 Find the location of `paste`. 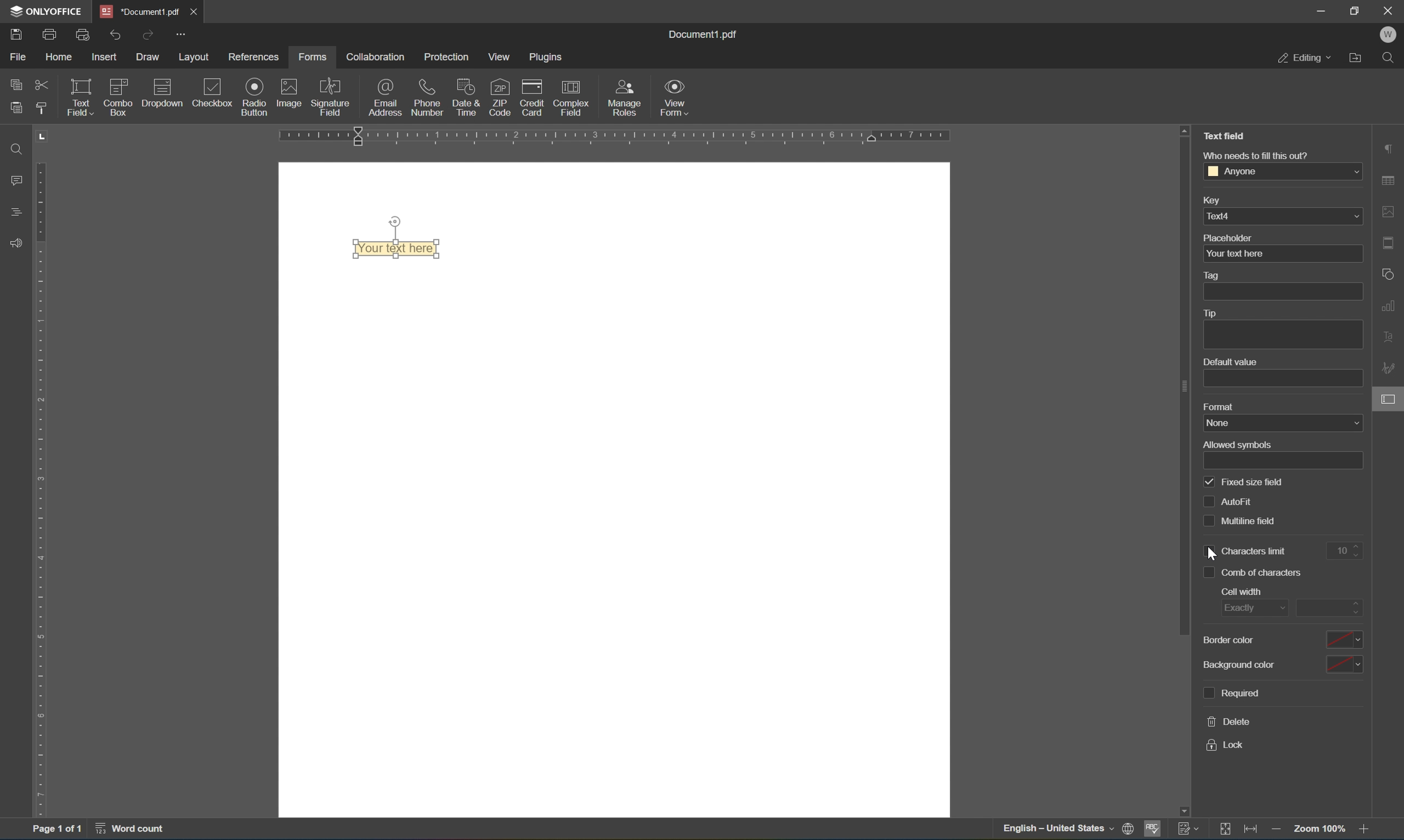

paste is located at coordinates (16, 108).